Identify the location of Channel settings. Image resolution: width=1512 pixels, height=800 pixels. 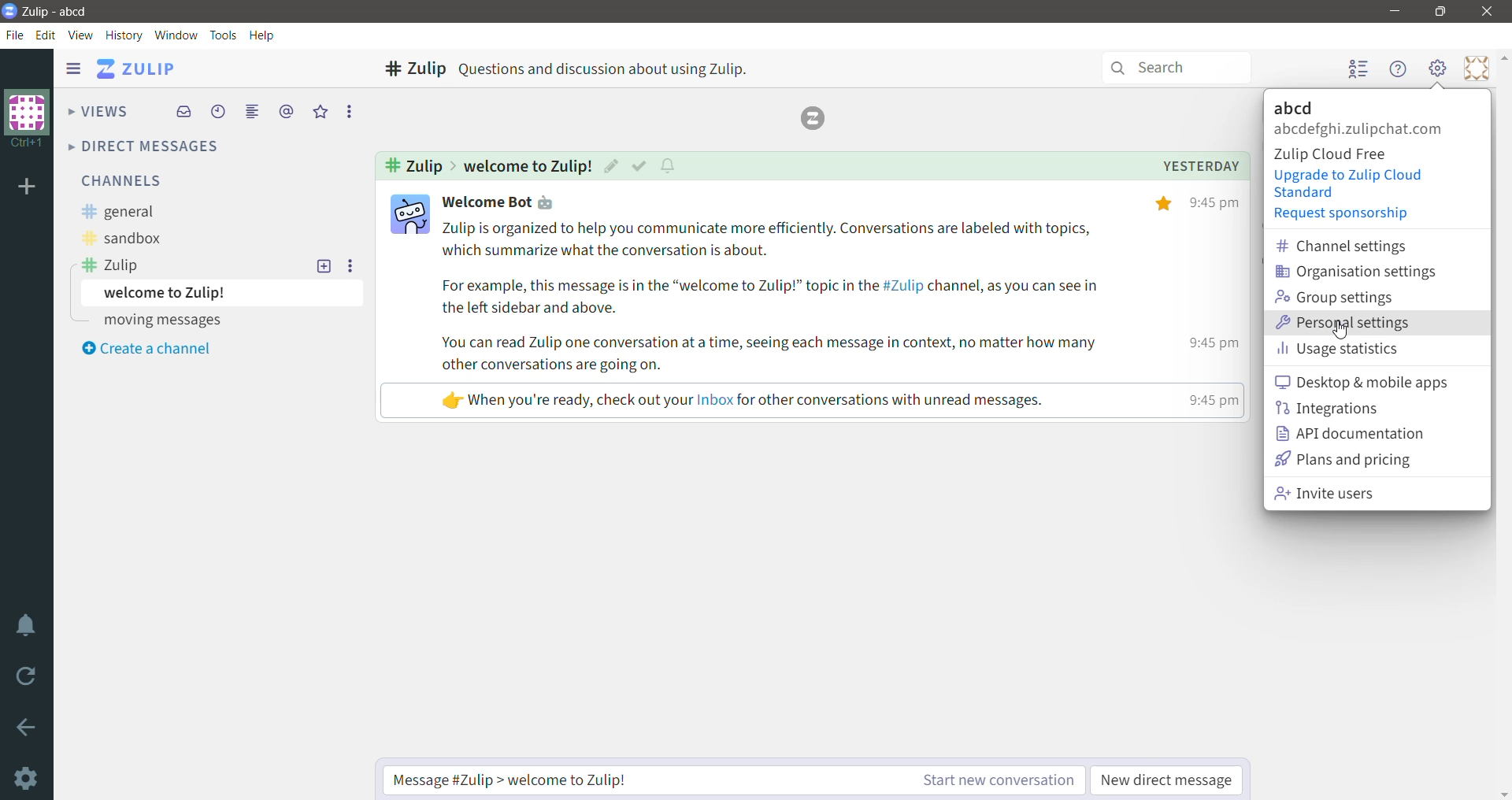
(1345, 246).